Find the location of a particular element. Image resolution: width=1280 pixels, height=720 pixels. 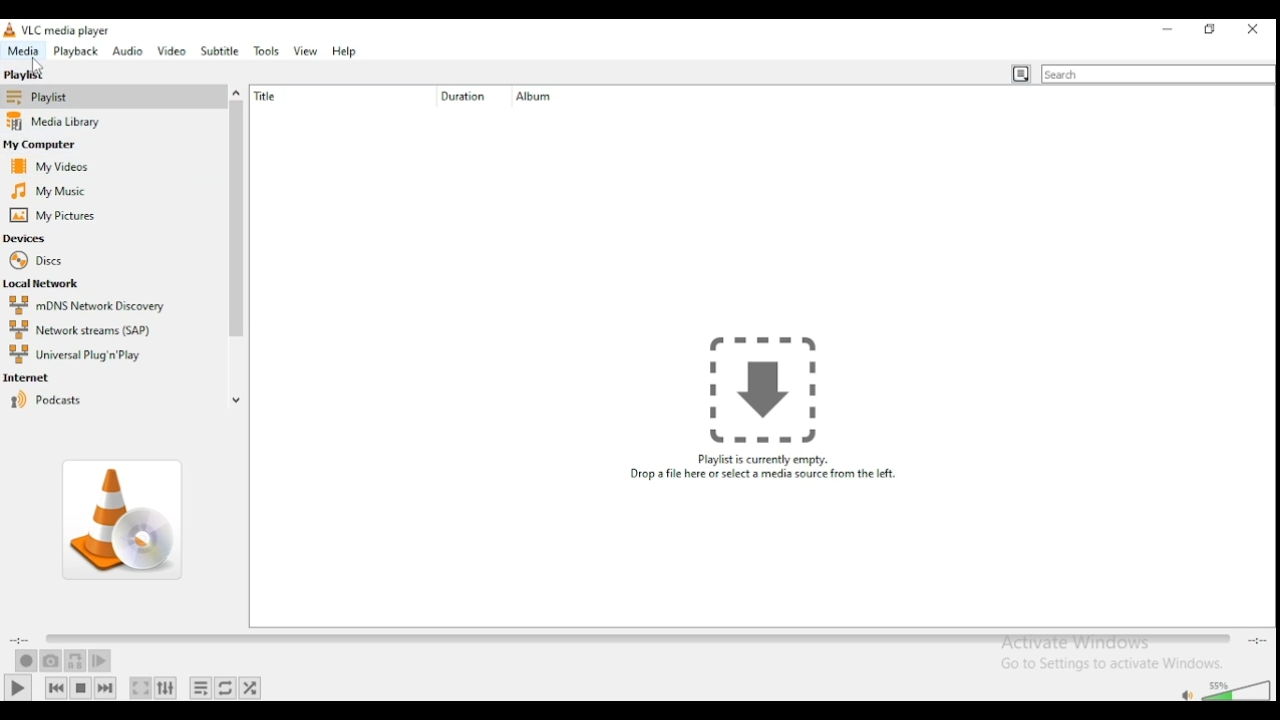

toggle video in fullscreen is located at coordinates (140, 688).